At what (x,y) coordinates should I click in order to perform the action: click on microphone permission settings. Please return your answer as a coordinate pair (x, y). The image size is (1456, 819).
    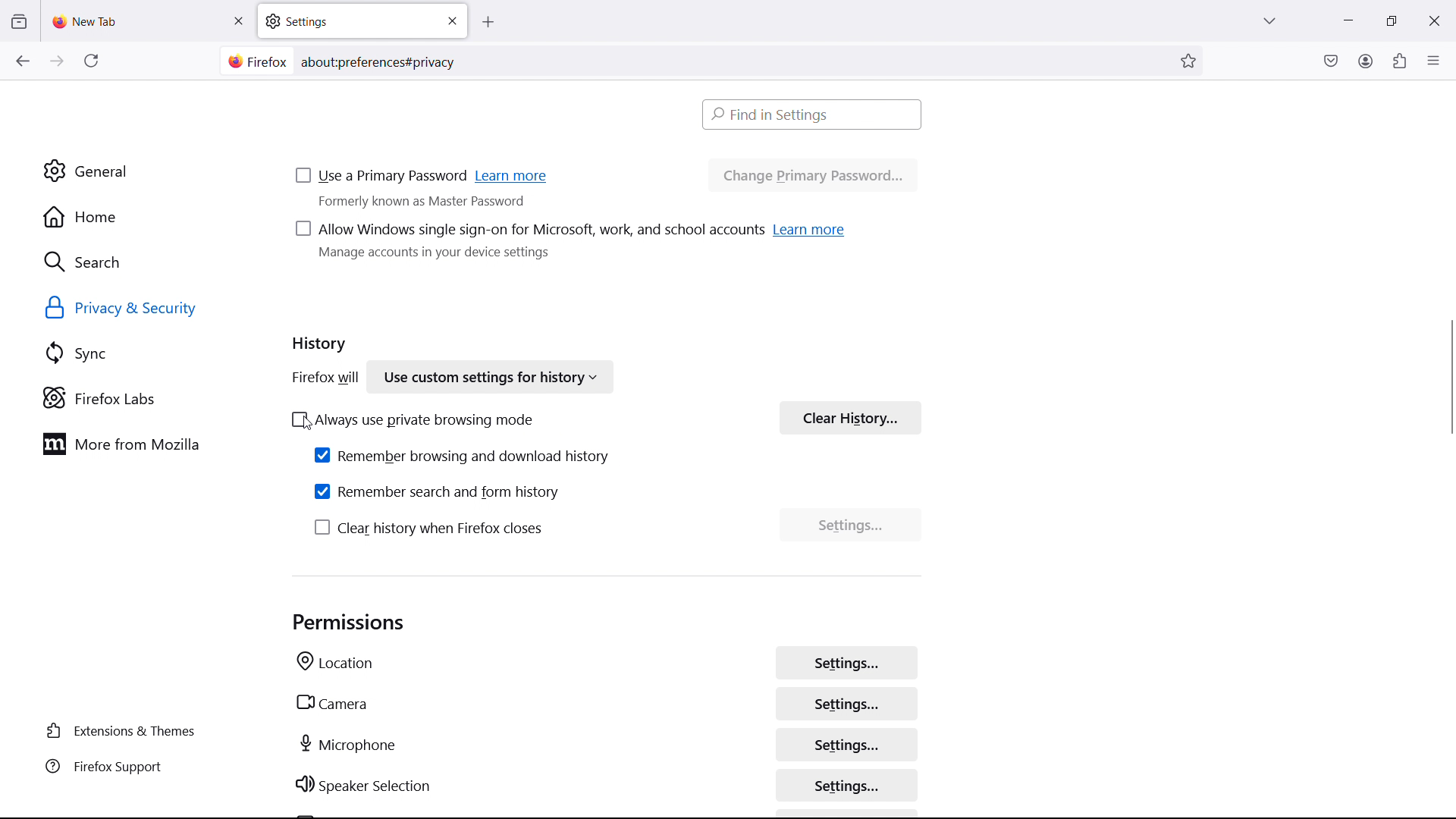
    Looking at the image, I should click on (846, 743).